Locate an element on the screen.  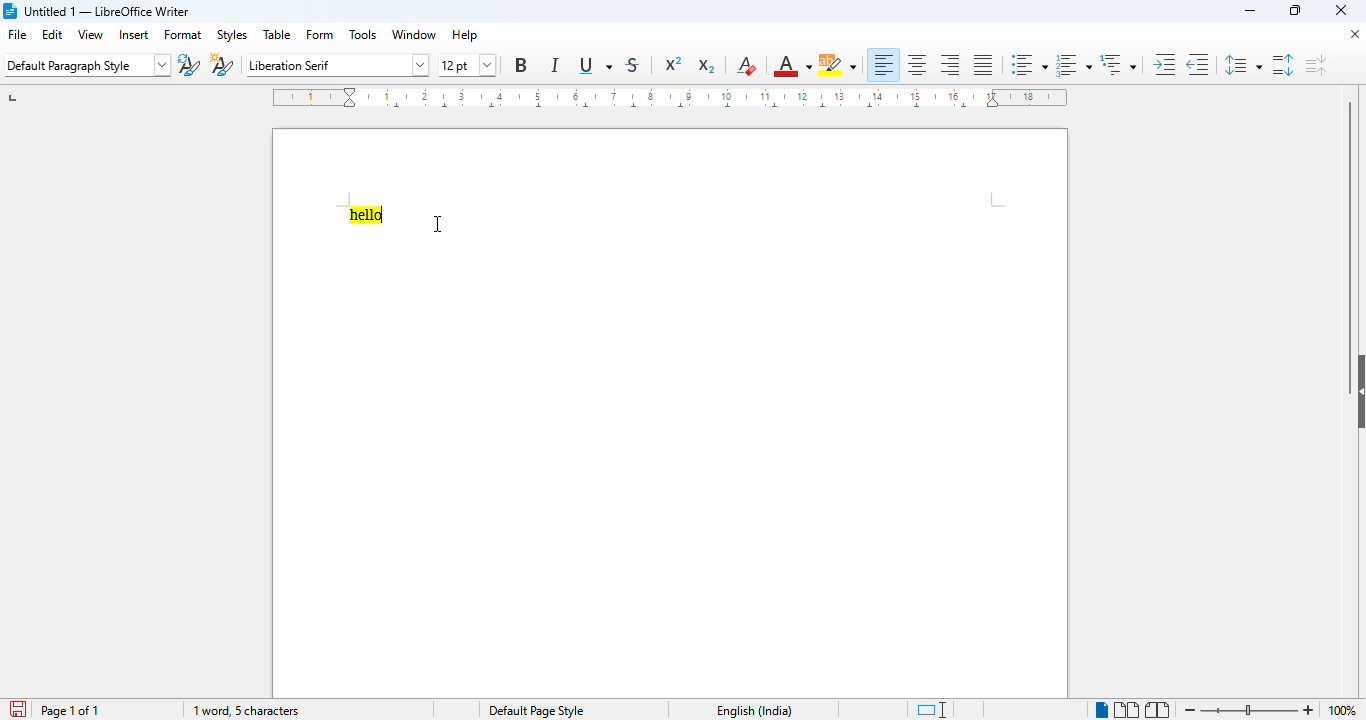
toggle unordered list is located at coordinates (1029, 64).